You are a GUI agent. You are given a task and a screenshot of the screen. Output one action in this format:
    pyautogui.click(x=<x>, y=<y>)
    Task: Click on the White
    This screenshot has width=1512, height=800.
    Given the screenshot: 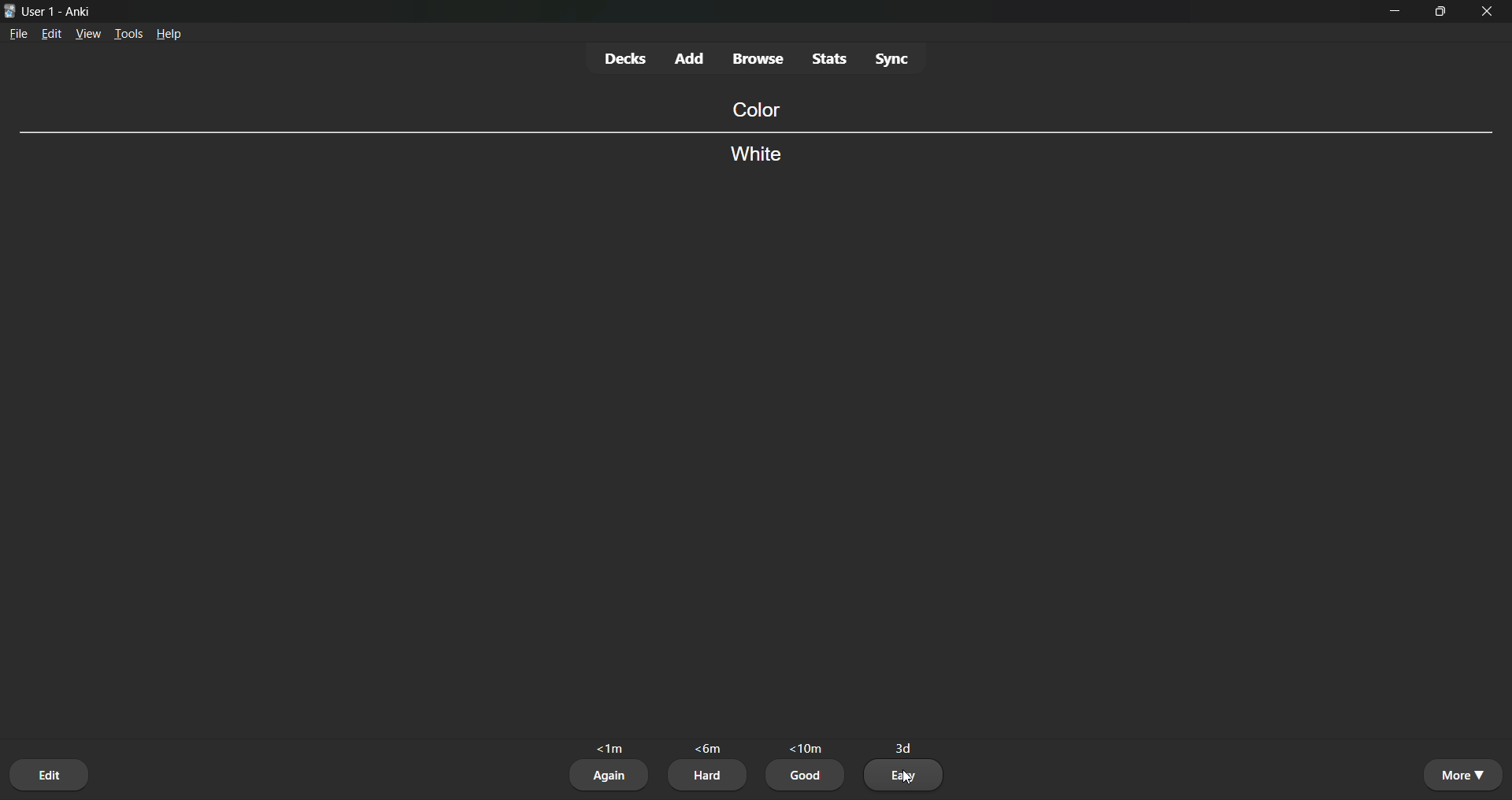 What is the action you would take?
    pyautogui.click(x=761, y=158)
    